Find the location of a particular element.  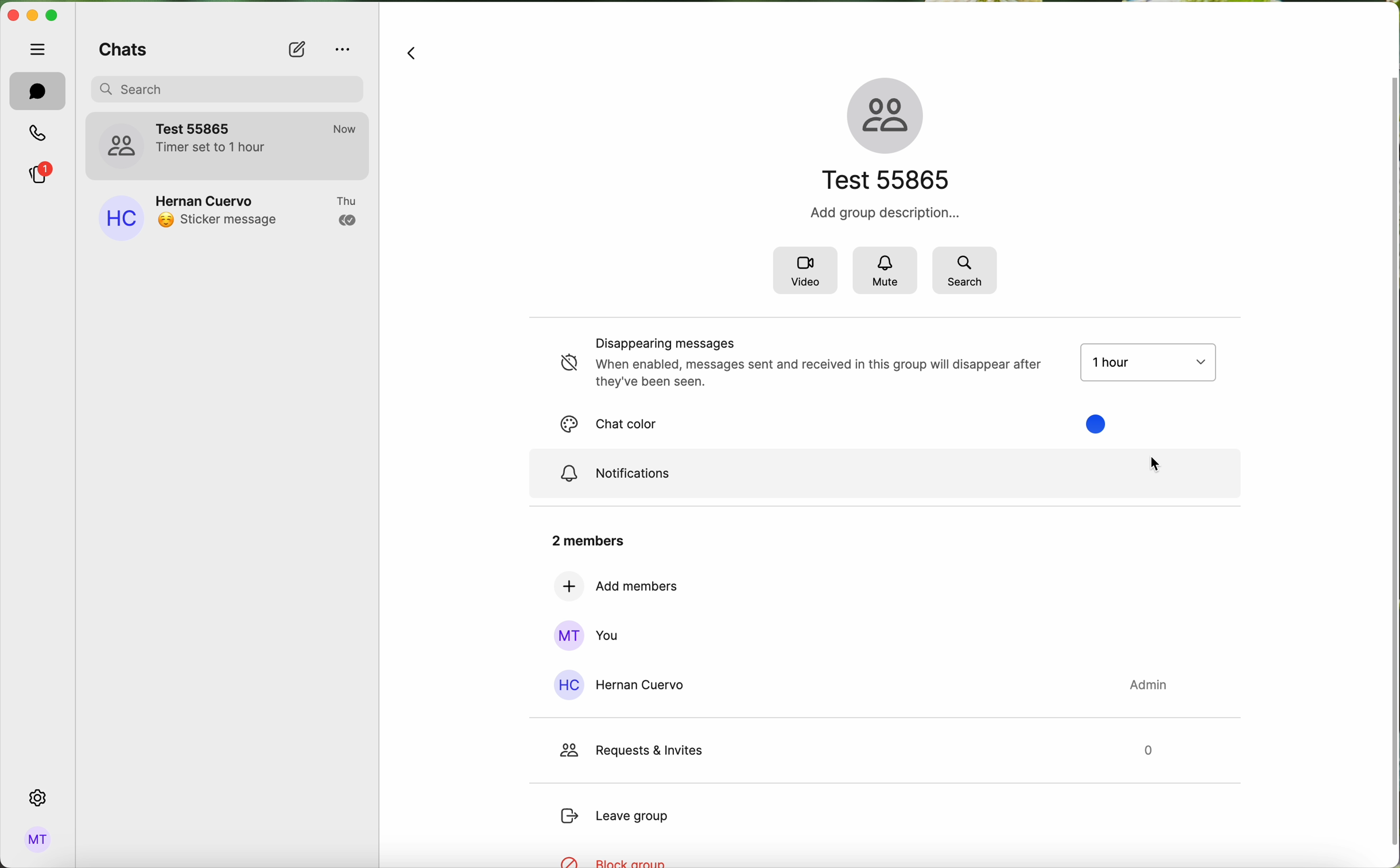

new chat is located at coordinates (297, 51).